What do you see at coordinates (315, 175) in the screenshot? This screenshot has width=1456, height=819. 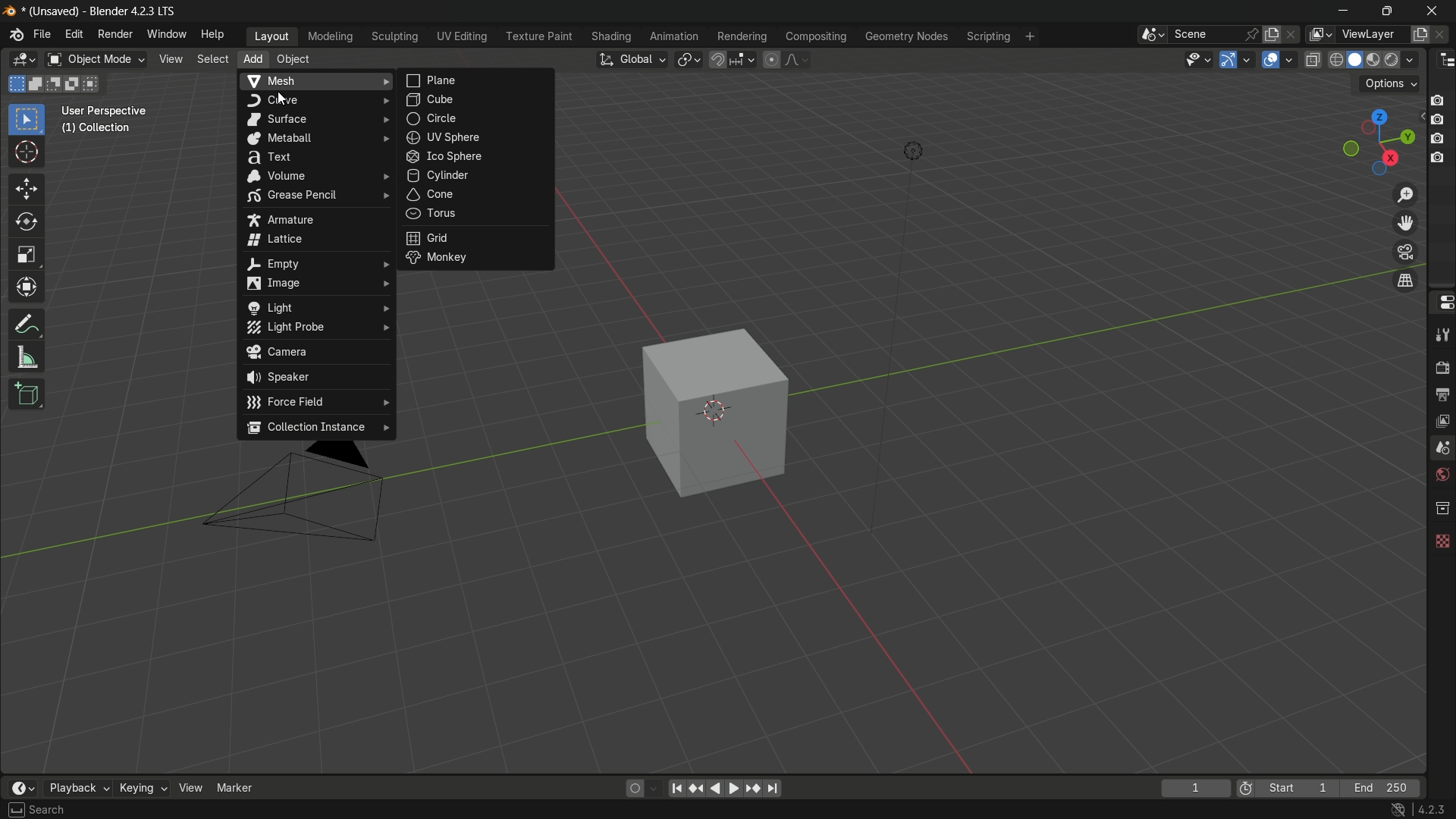 I see `volume` at bounding box center [315, 175].